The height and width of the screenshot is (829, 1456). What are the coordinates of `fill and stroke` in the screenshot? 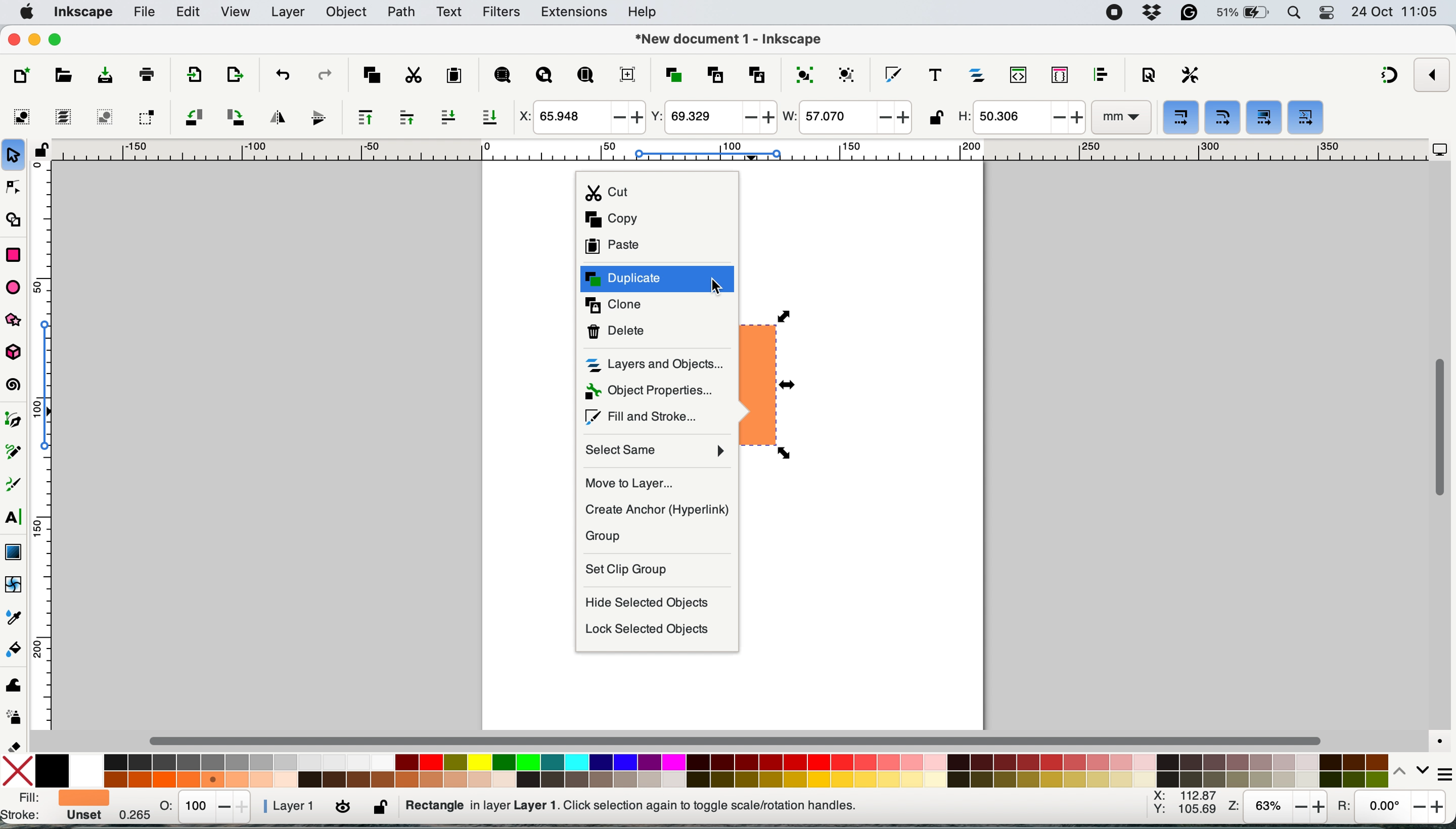 It's located at (54, 808).